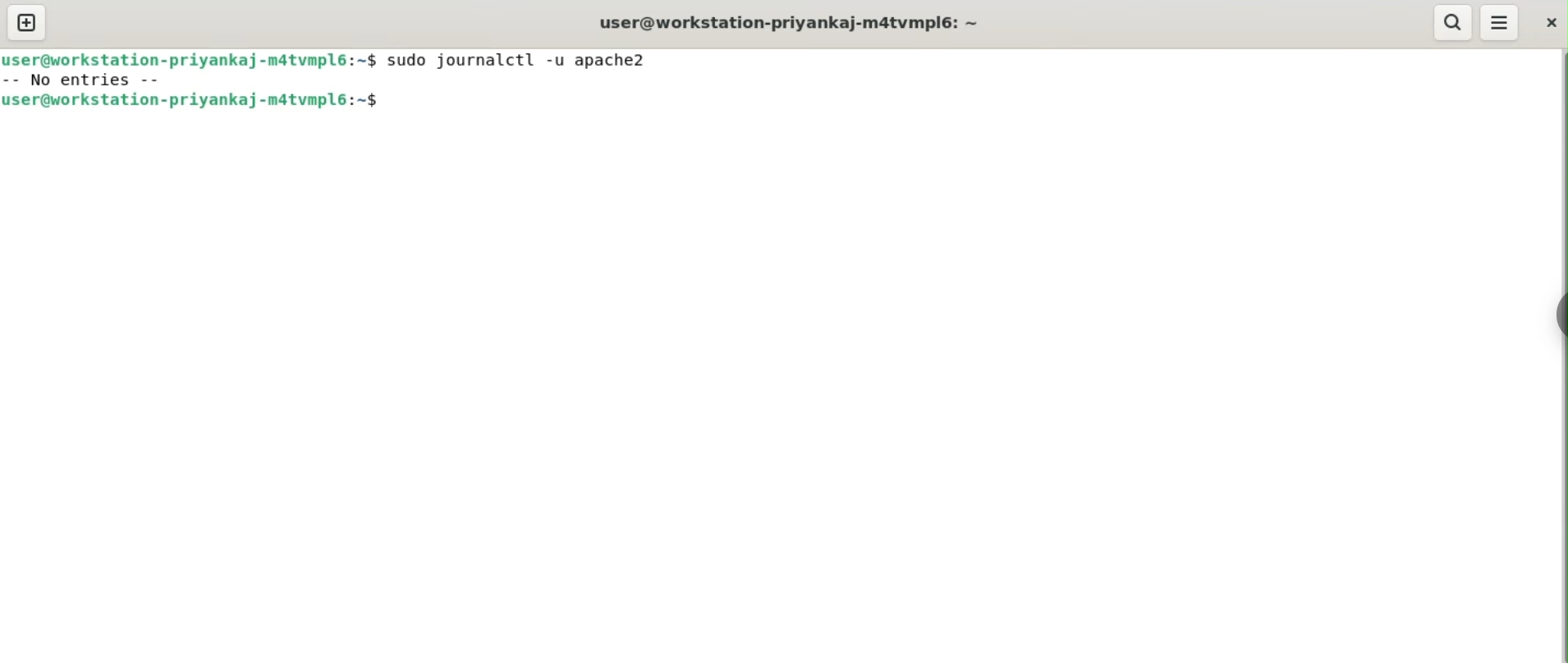  Describe the element at coordinates (1548, 23) in the screenshot. I see `close` at that location.